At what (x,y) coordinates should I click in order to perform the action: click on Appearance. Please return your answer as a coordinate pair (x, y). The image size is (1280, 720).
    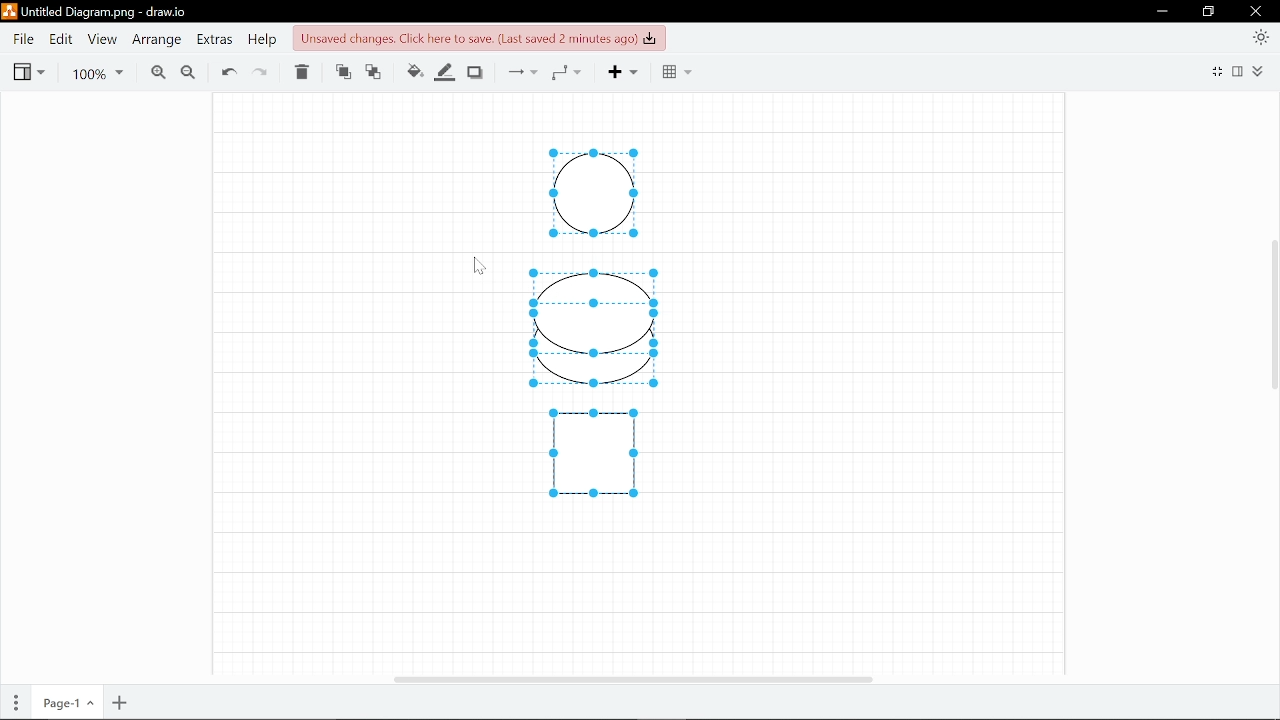
    Looking at the image, I should click on (1262, 36).